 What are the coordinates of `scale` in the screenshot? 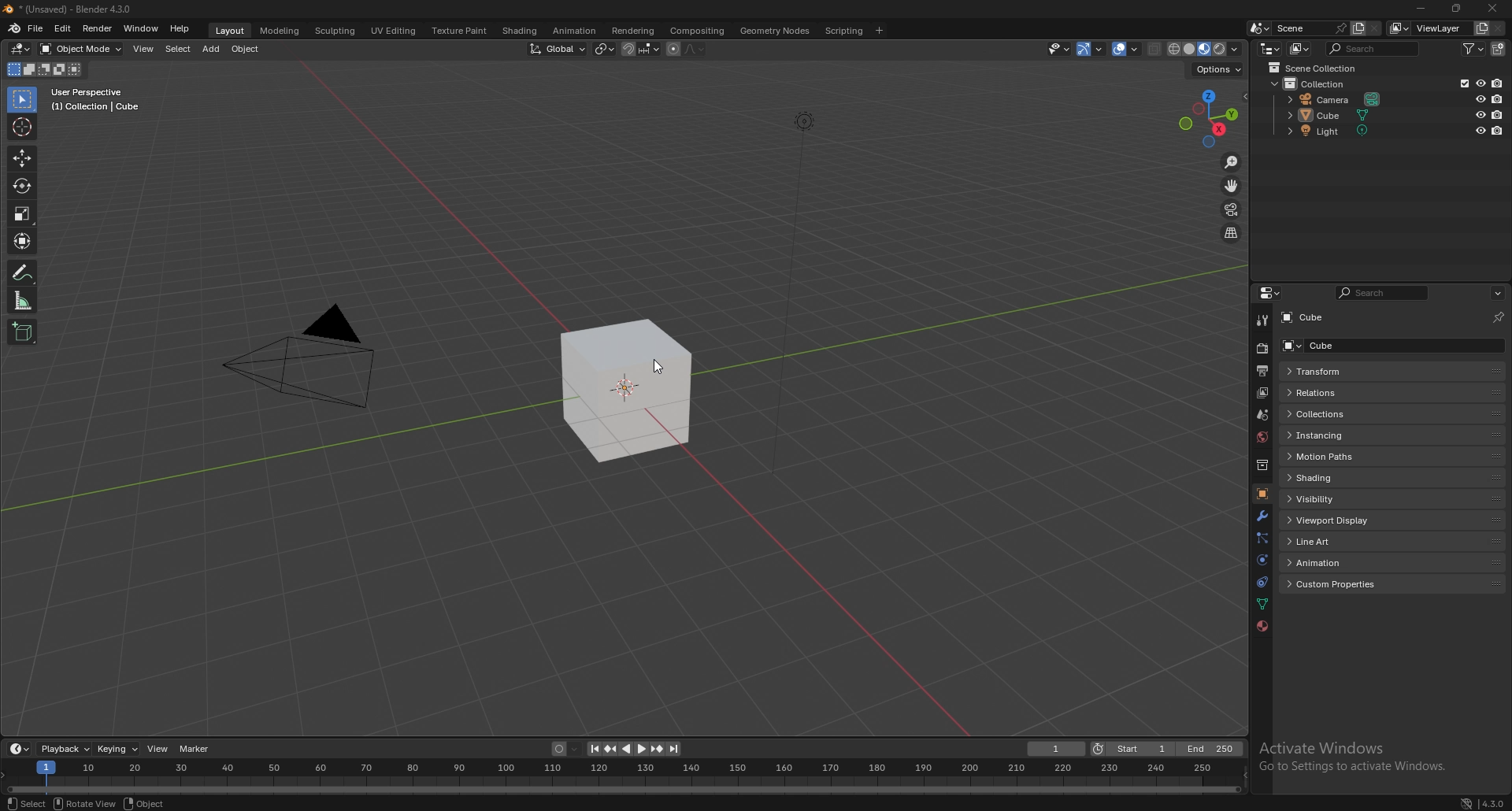 It's located at (20, 213).